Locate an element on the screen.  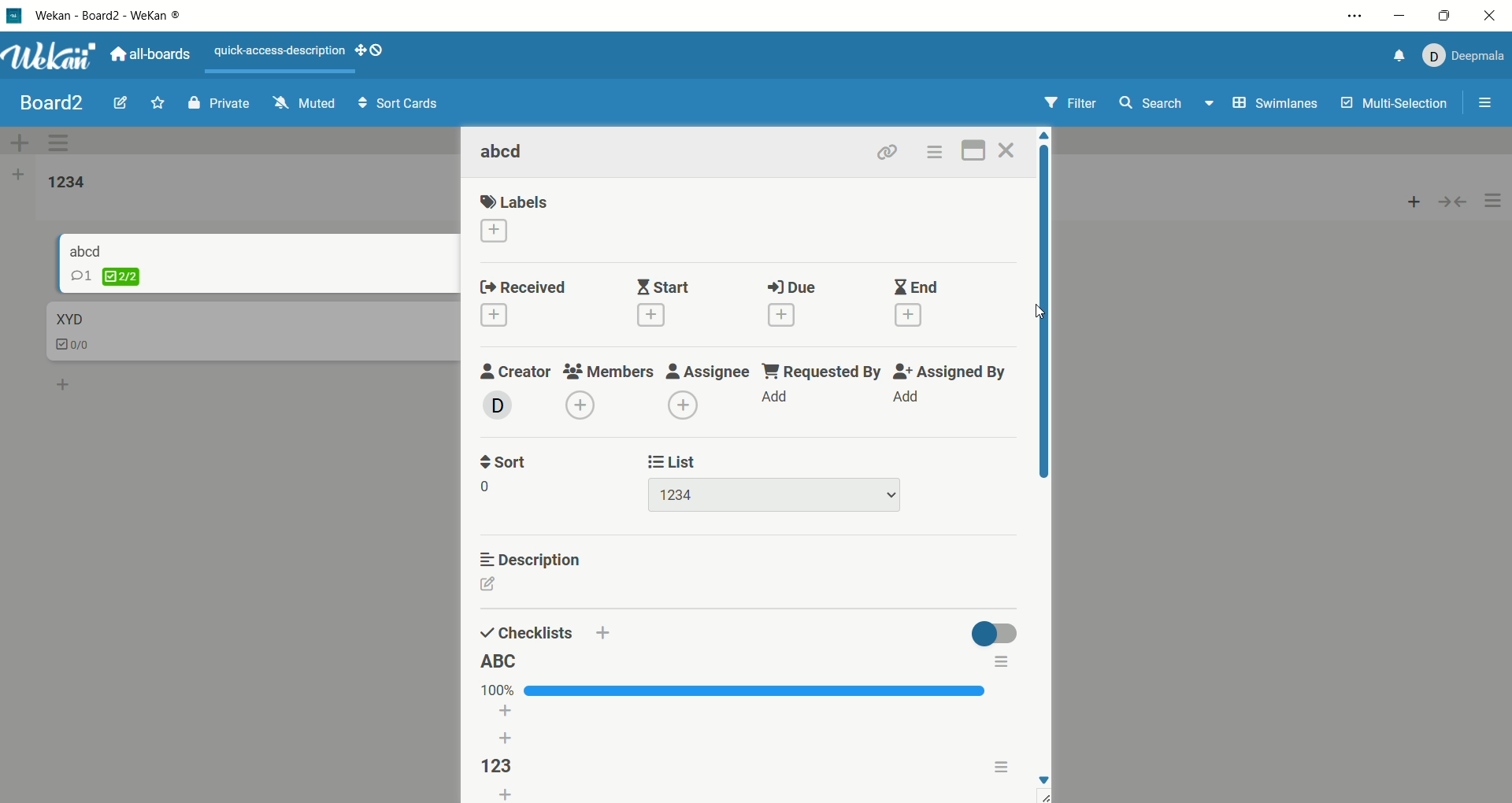
add swimlane is located at coordinates (20, 142).